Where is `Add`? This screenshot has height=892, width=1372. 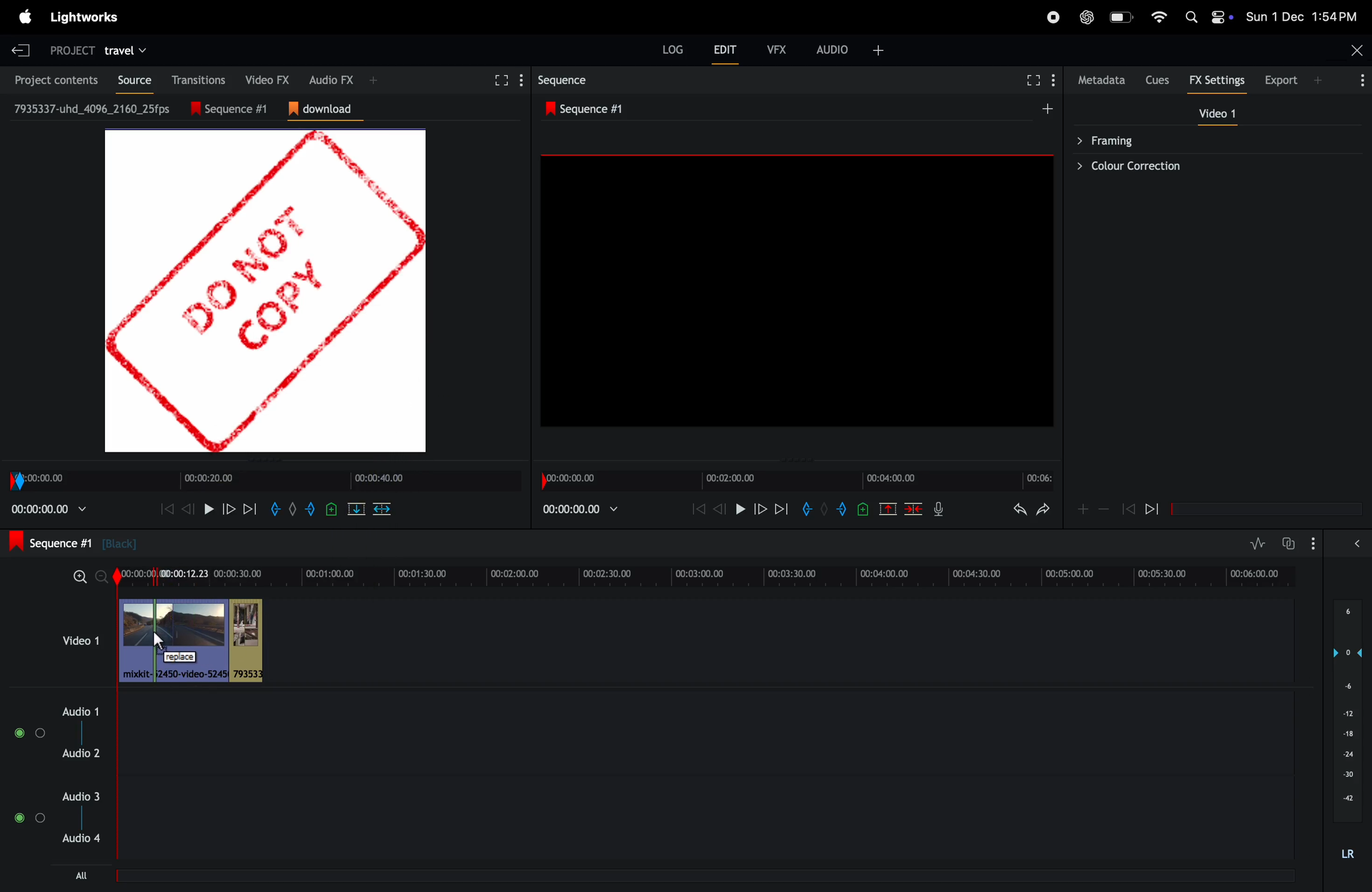 Add is located at coordinates (824, 508).